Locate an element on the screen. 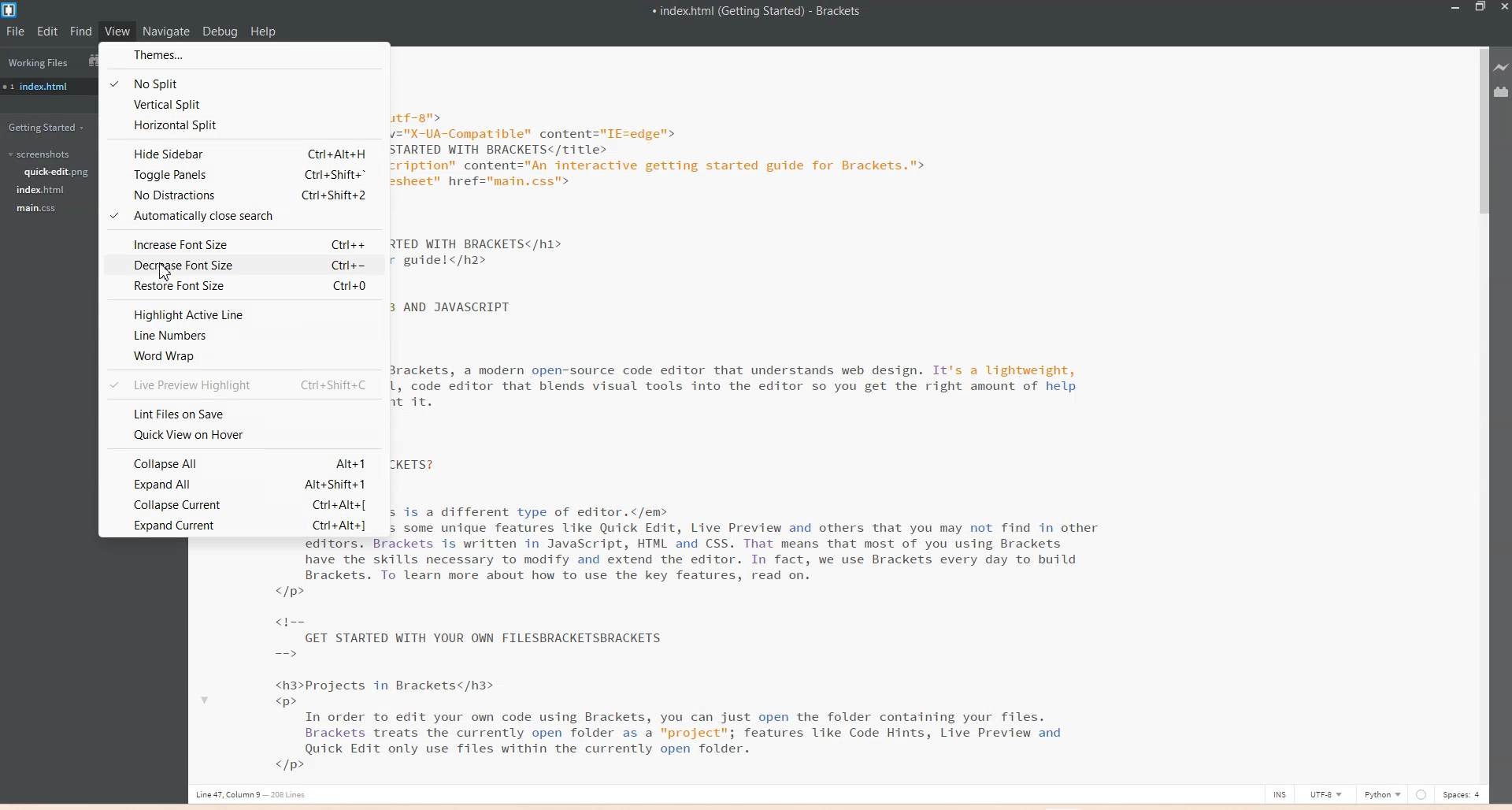  Toggle Panels is located at coordinates (246, 175).